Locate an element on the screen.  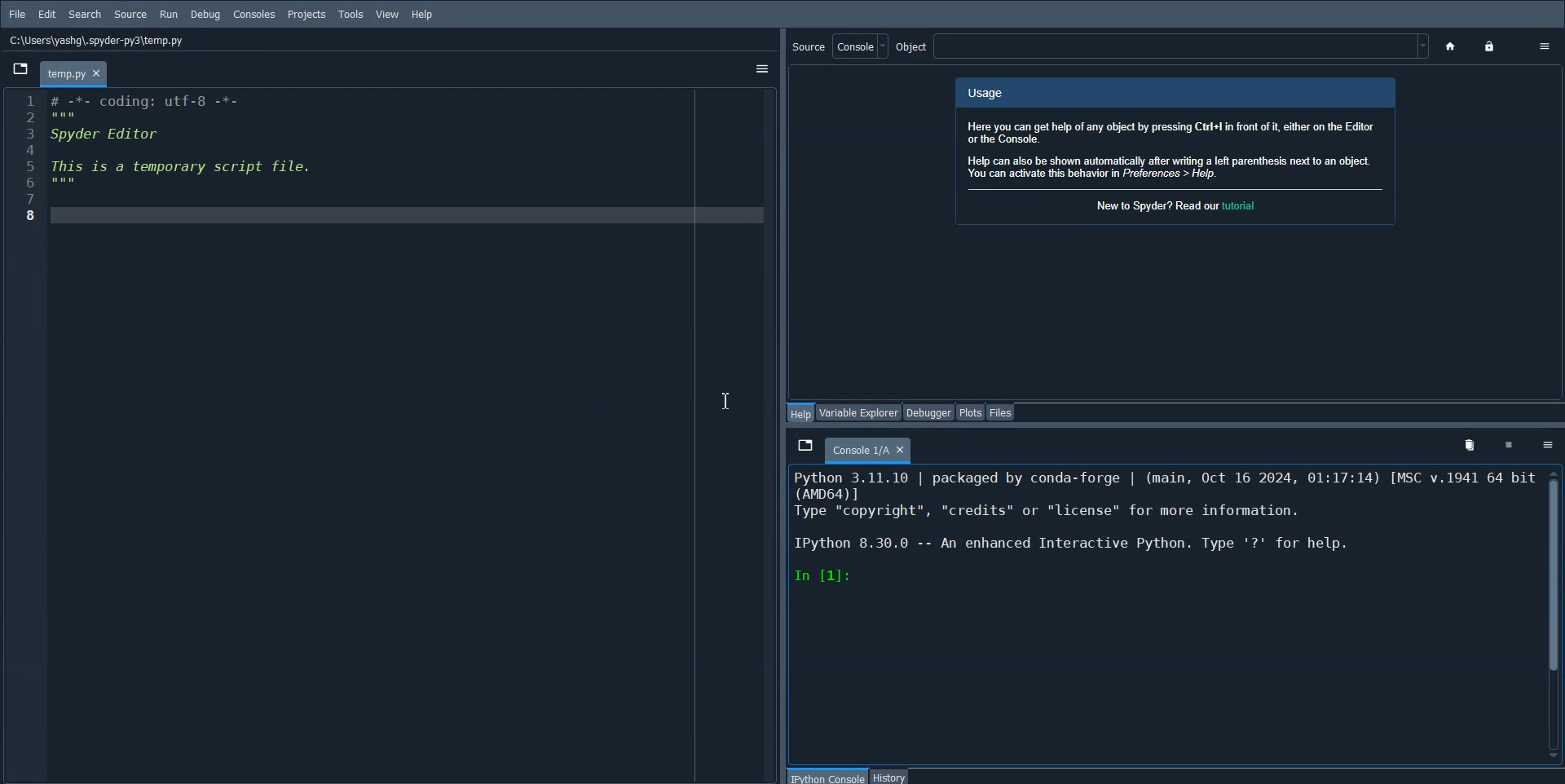
Projects is located at coordinates (307, 15).